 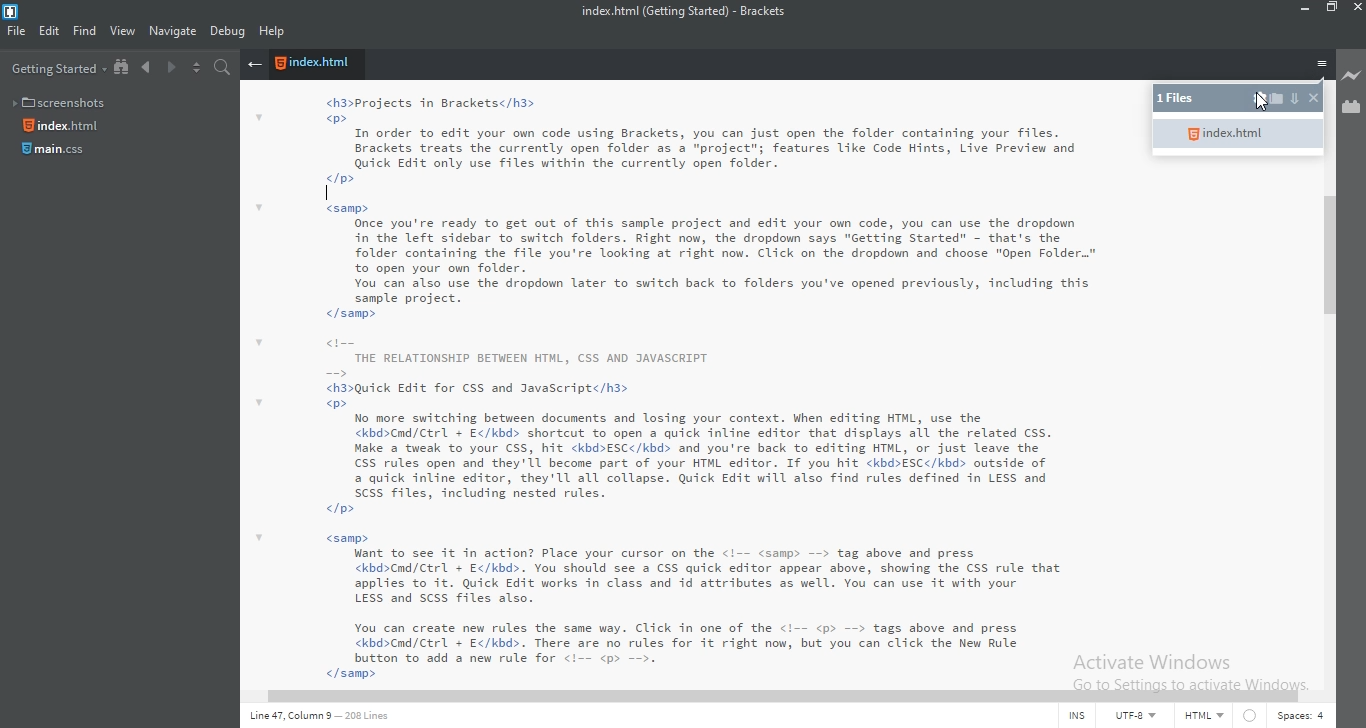 I want to click on Edit, so click(x=49, y=33).